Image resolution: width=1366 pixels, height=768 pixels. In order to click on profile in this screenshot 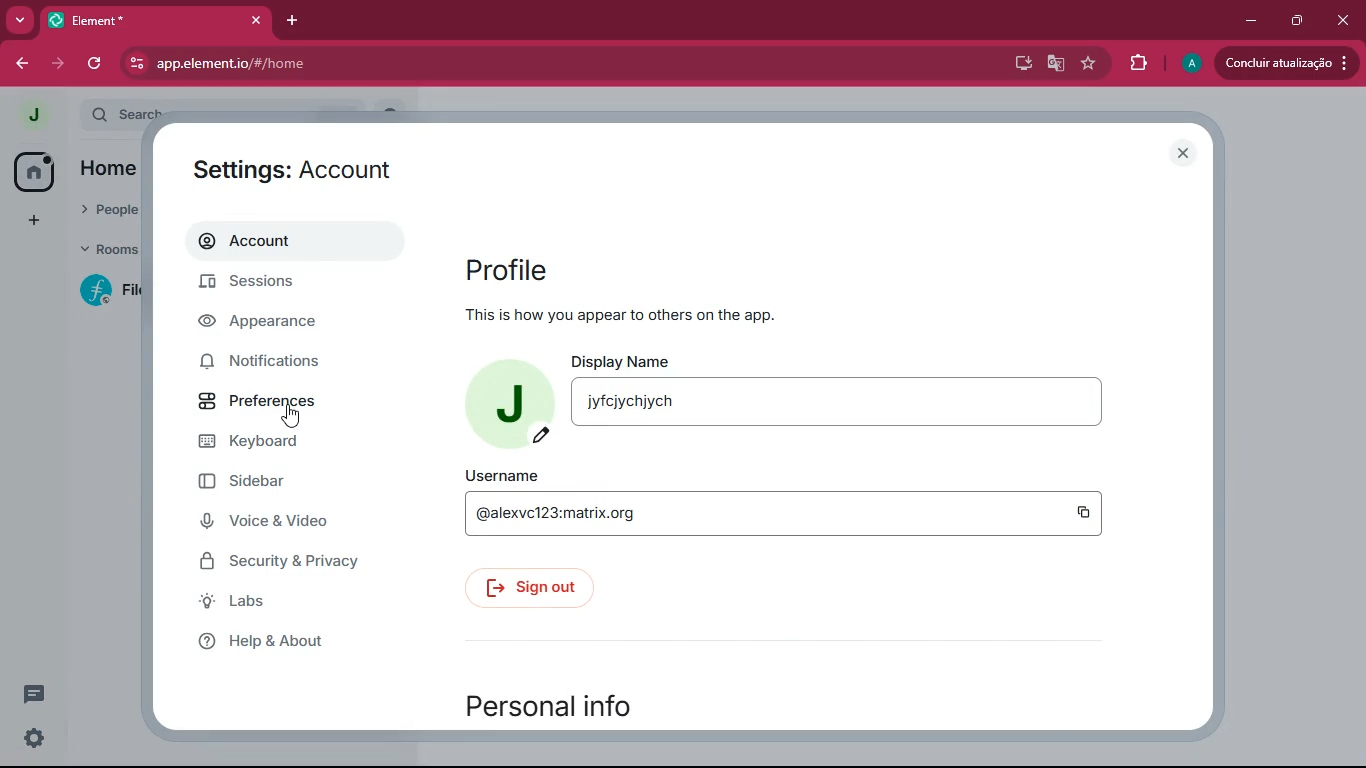, I will do `click(520, 270)`.